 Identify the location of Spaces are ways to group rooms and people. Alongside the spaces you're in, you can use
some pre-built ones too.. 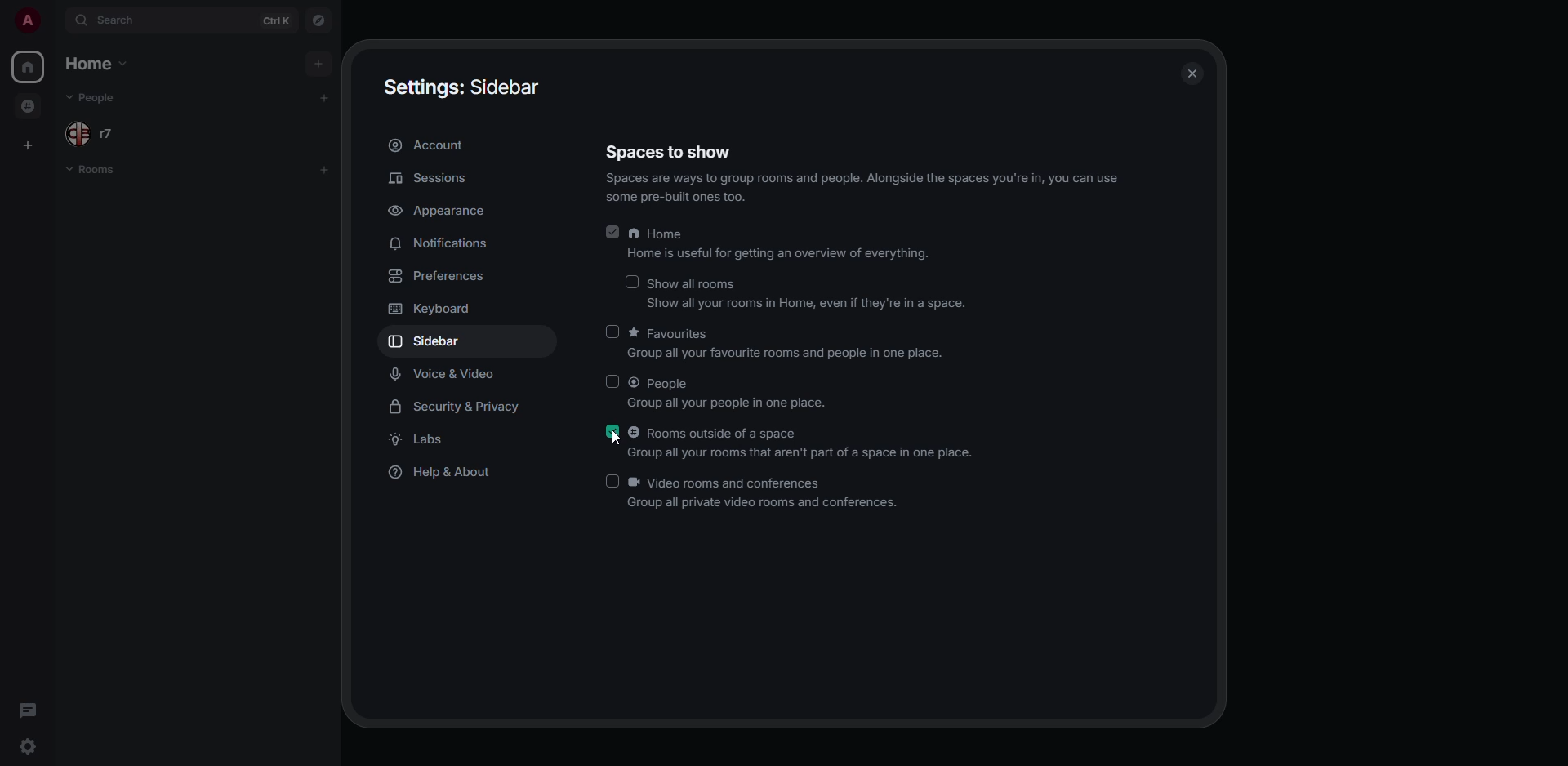
(862, 187).